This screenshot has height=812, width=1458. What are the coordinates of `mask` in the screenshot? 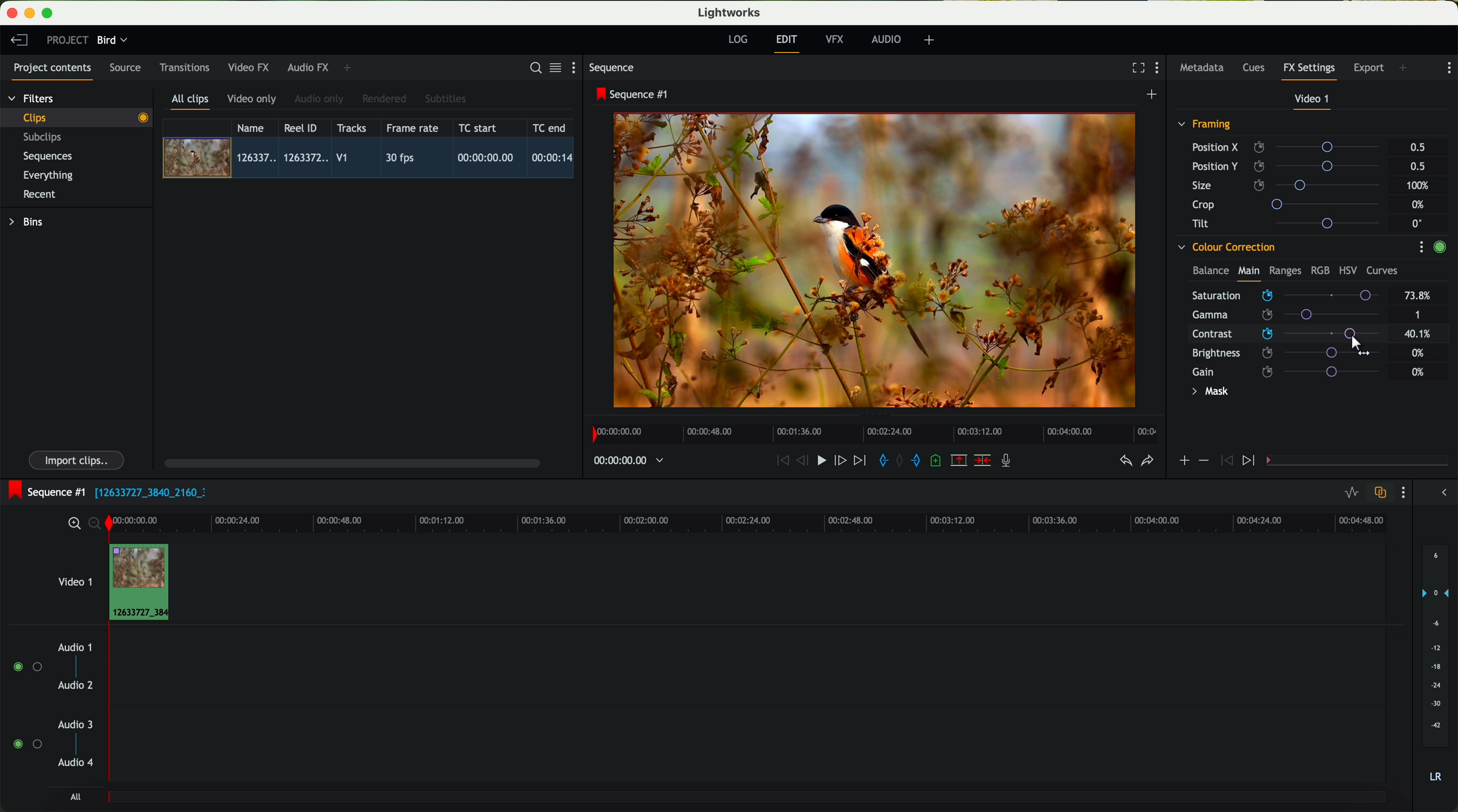 It's located at (1208, 393).